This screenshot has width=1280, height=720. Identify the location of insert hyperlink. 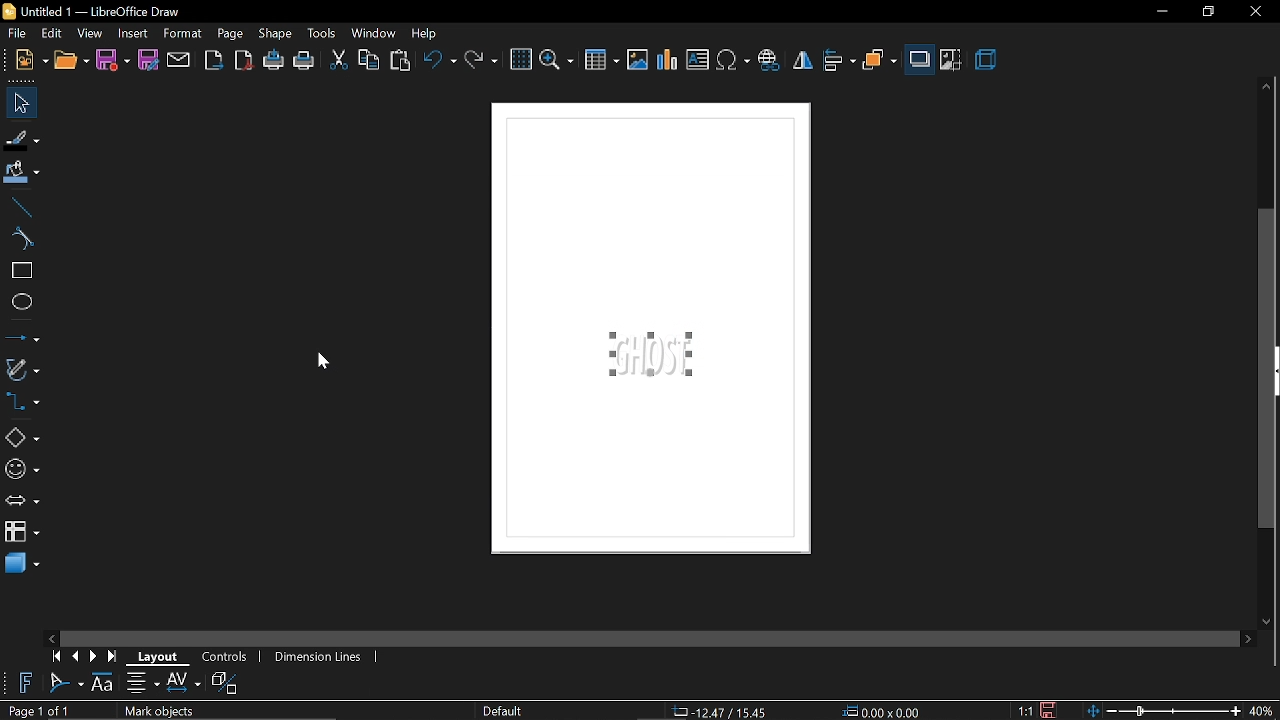
(770, 59).